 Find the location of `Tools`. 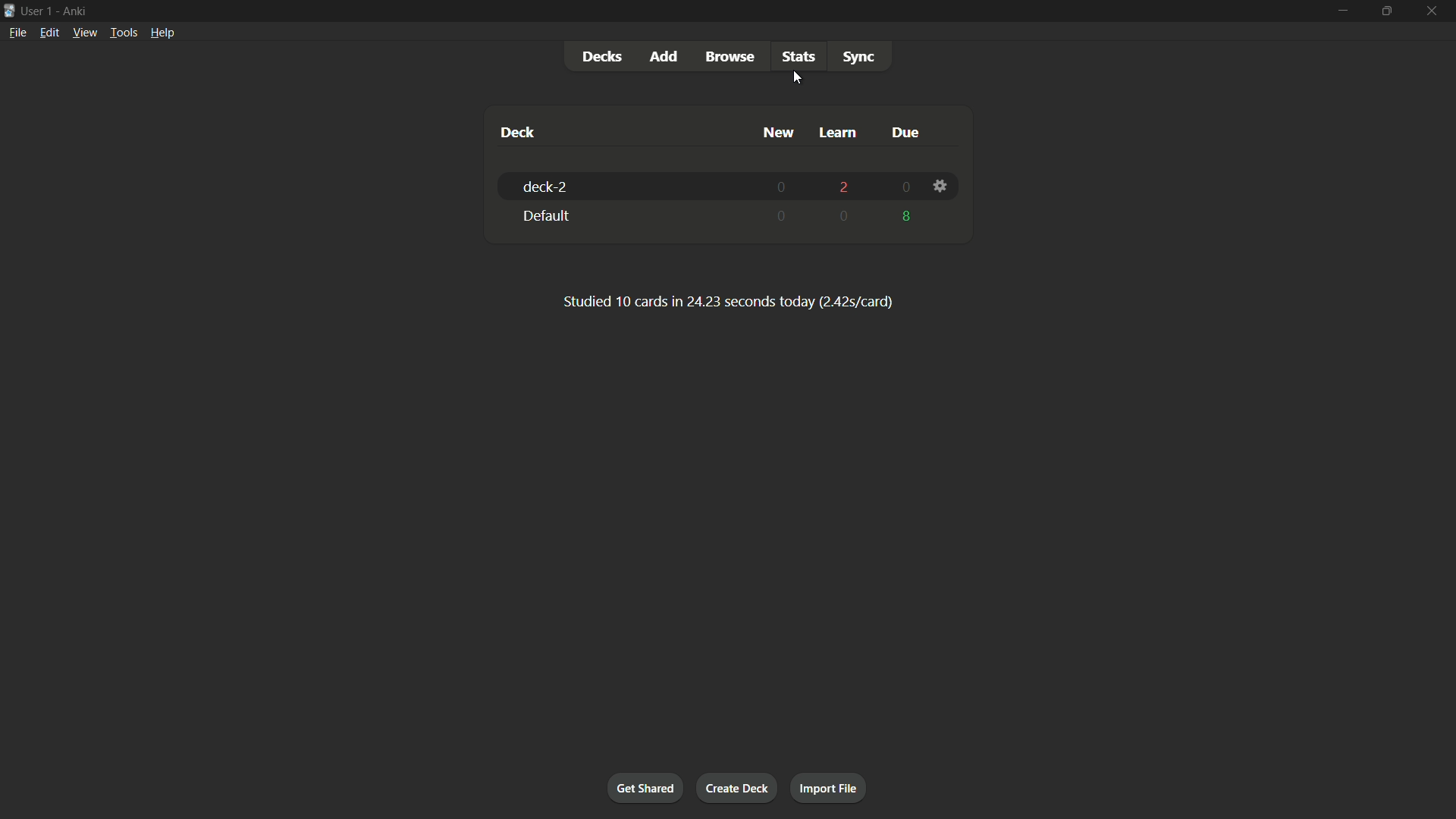

Tools is located at coordinates (124, 35).